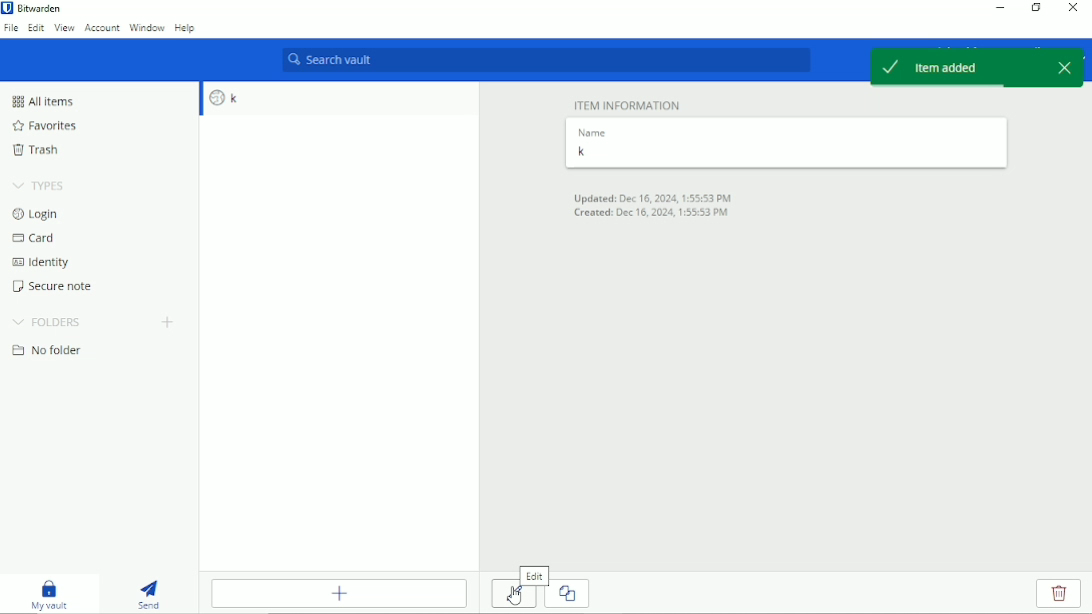 The width and height of the screenshot is (1092, 614). What do you see at coordinates (37, 237) in the screenshot?
I see `Card` at bounding box center [37, 237].